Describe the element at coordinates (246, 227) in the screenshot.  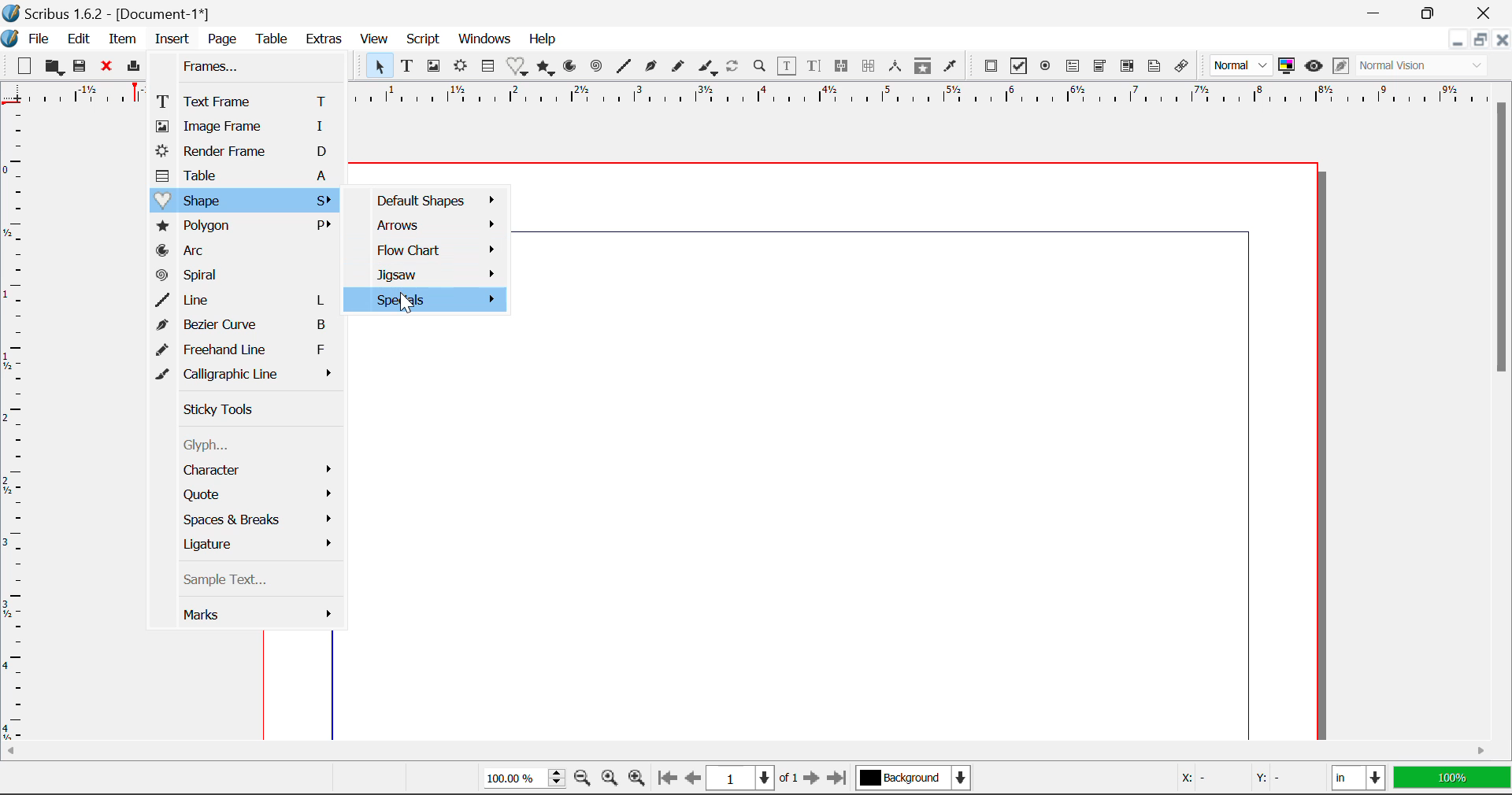
I see `Polygon` at that location.